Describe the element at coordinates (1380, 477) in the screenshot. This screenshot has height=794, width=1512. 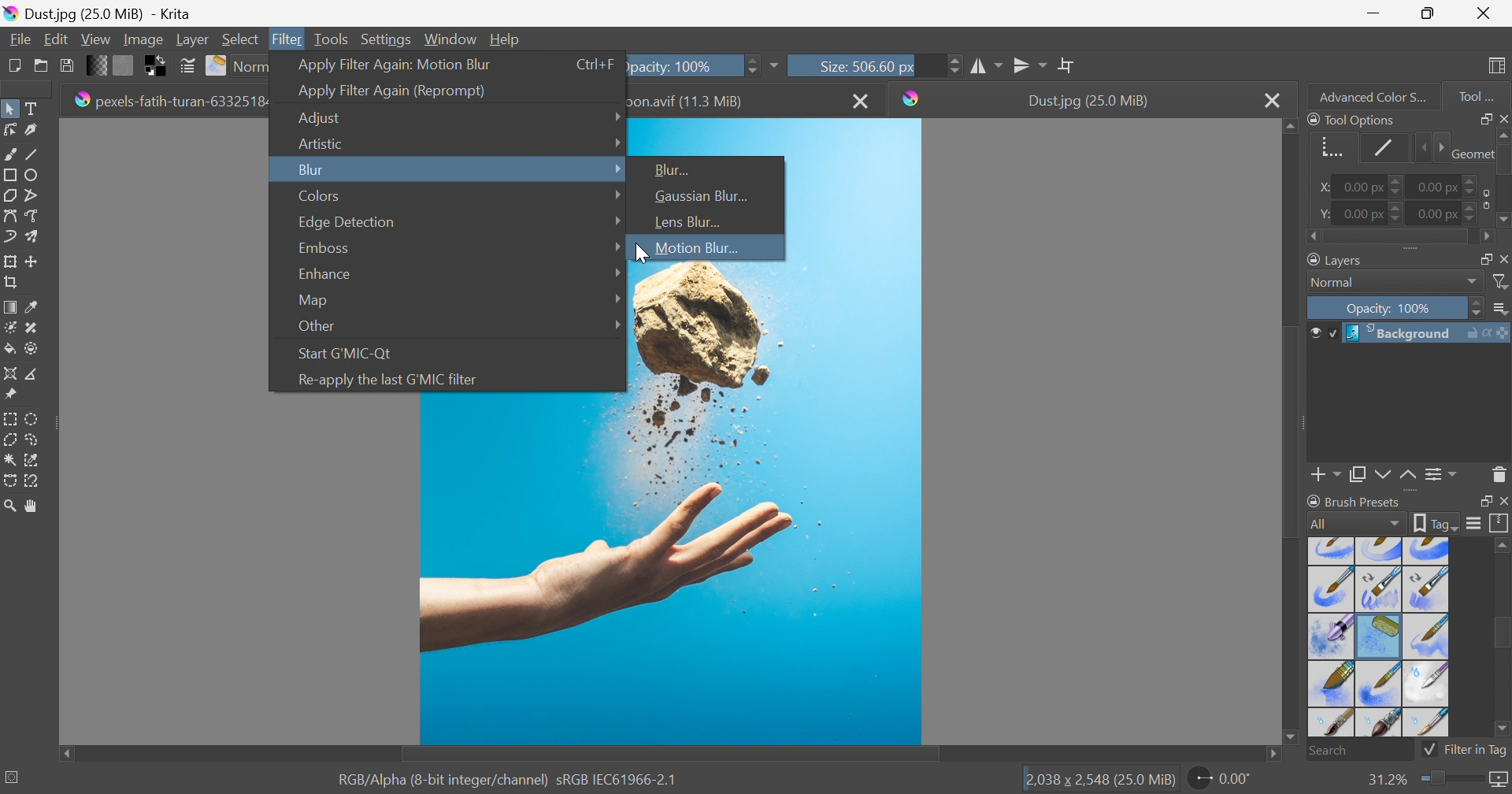
I see `Duplicate layer or mask` at that location.